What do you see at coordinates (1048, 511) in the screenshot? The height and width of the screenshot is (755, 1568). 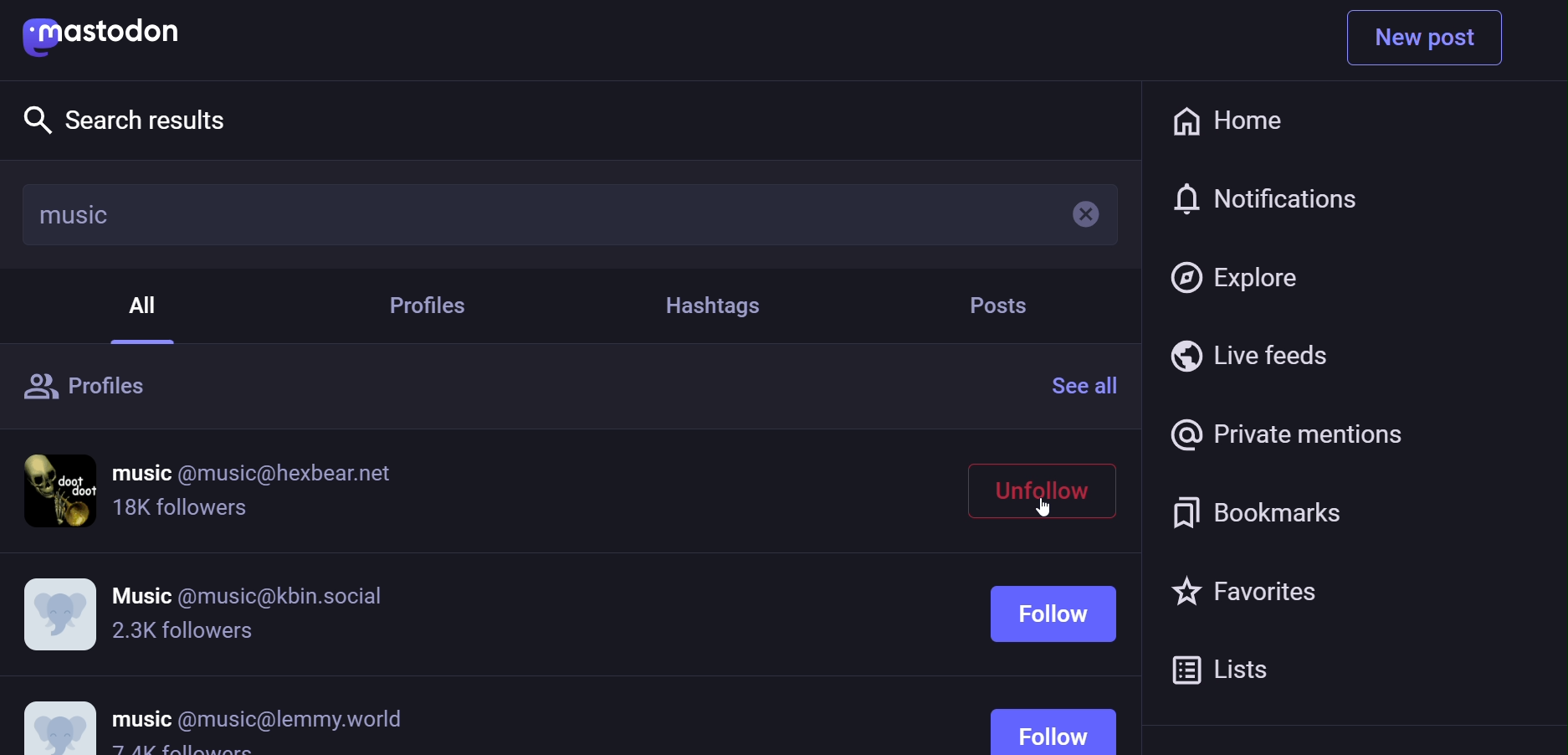 I see `cursor` at bounding box center [1048, 511].